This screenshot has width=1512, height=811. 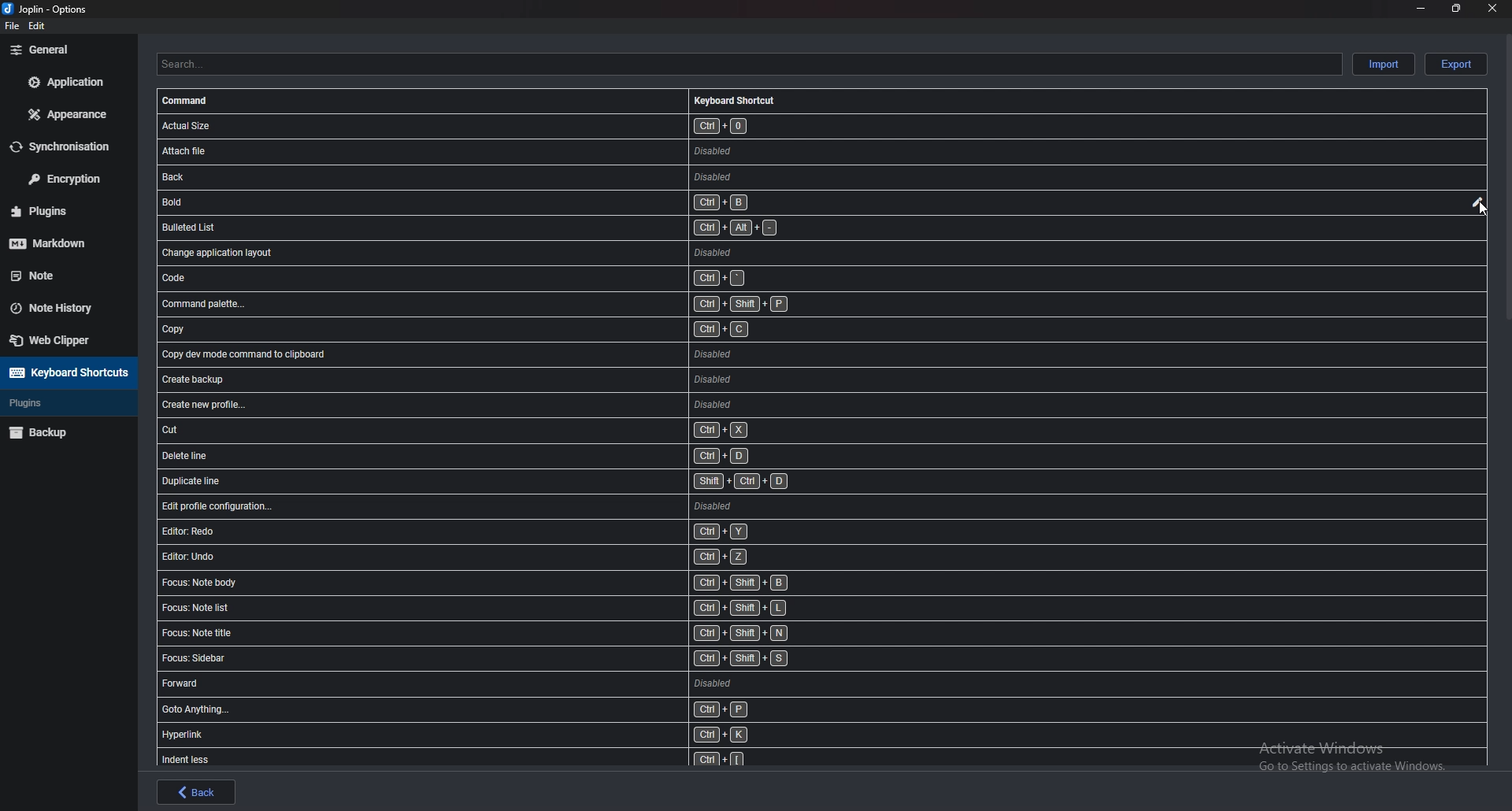 I want to click on shortcut, so click(x=512, y=609).